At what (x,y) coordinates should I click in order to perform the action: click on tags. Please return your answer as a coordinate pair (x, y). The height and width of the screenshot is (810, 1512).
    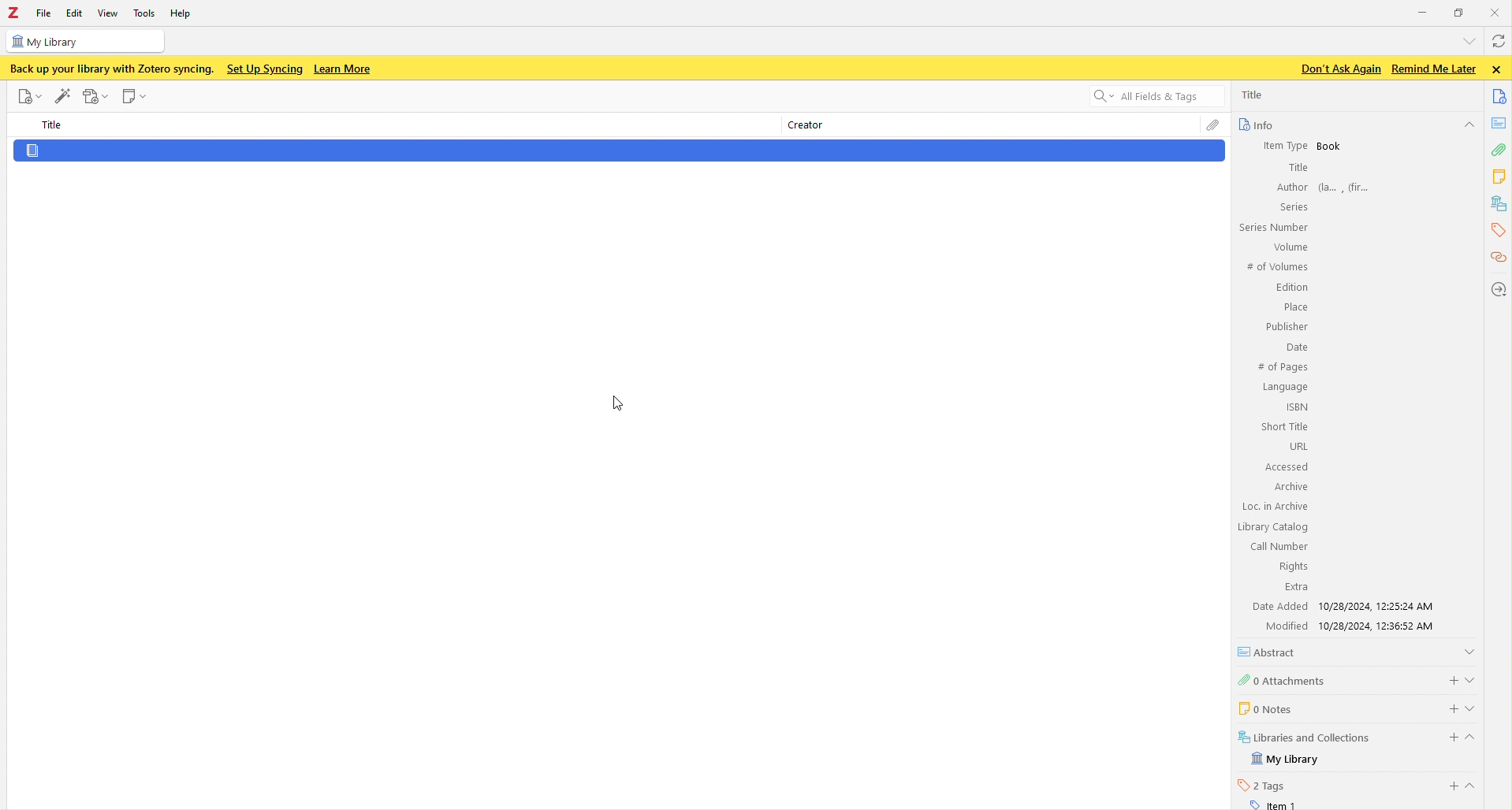
    Looking at the image, I should click on (1496, 230).